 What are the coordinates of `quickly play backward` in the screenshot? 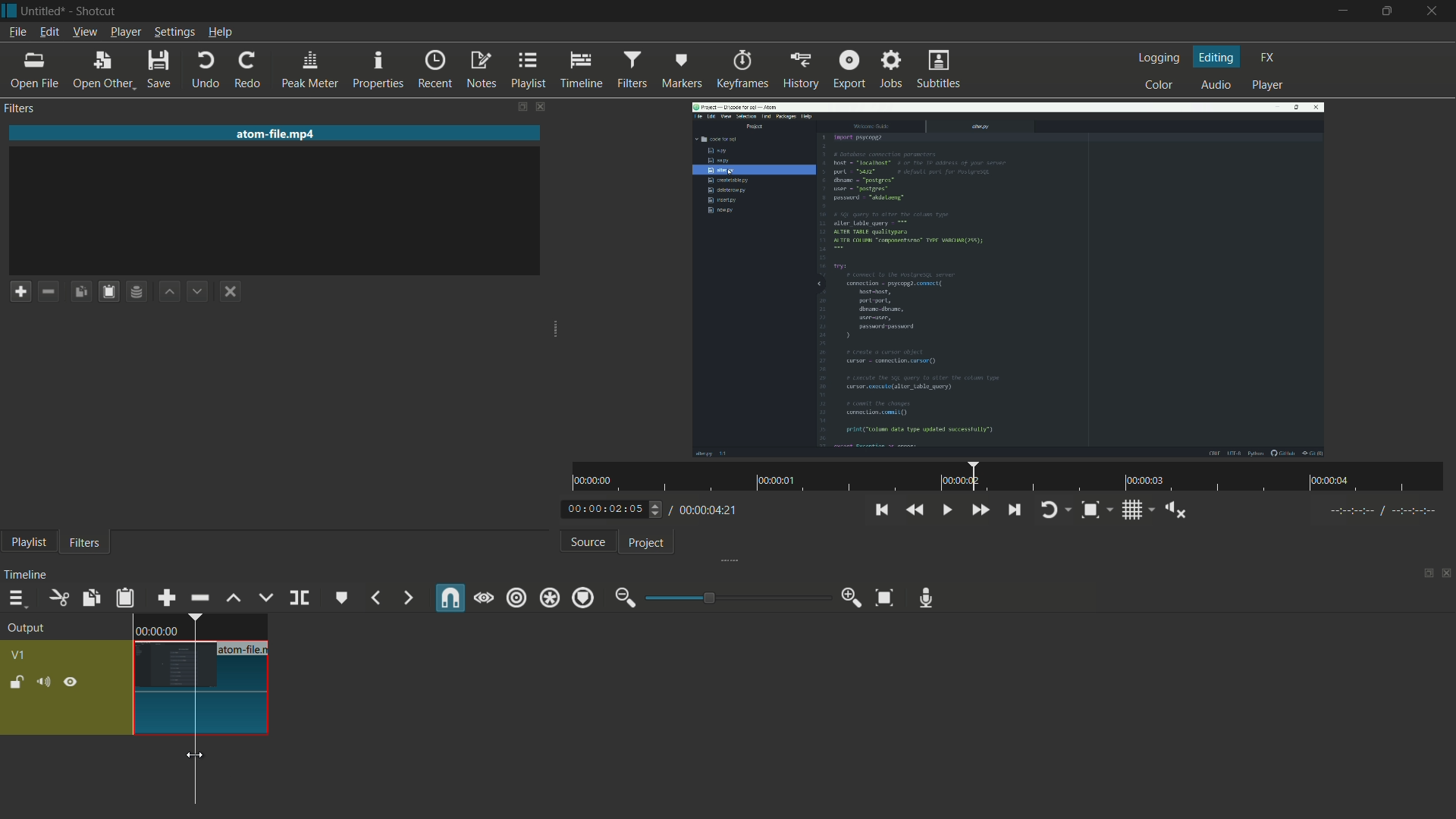 It's located at (916, 511).